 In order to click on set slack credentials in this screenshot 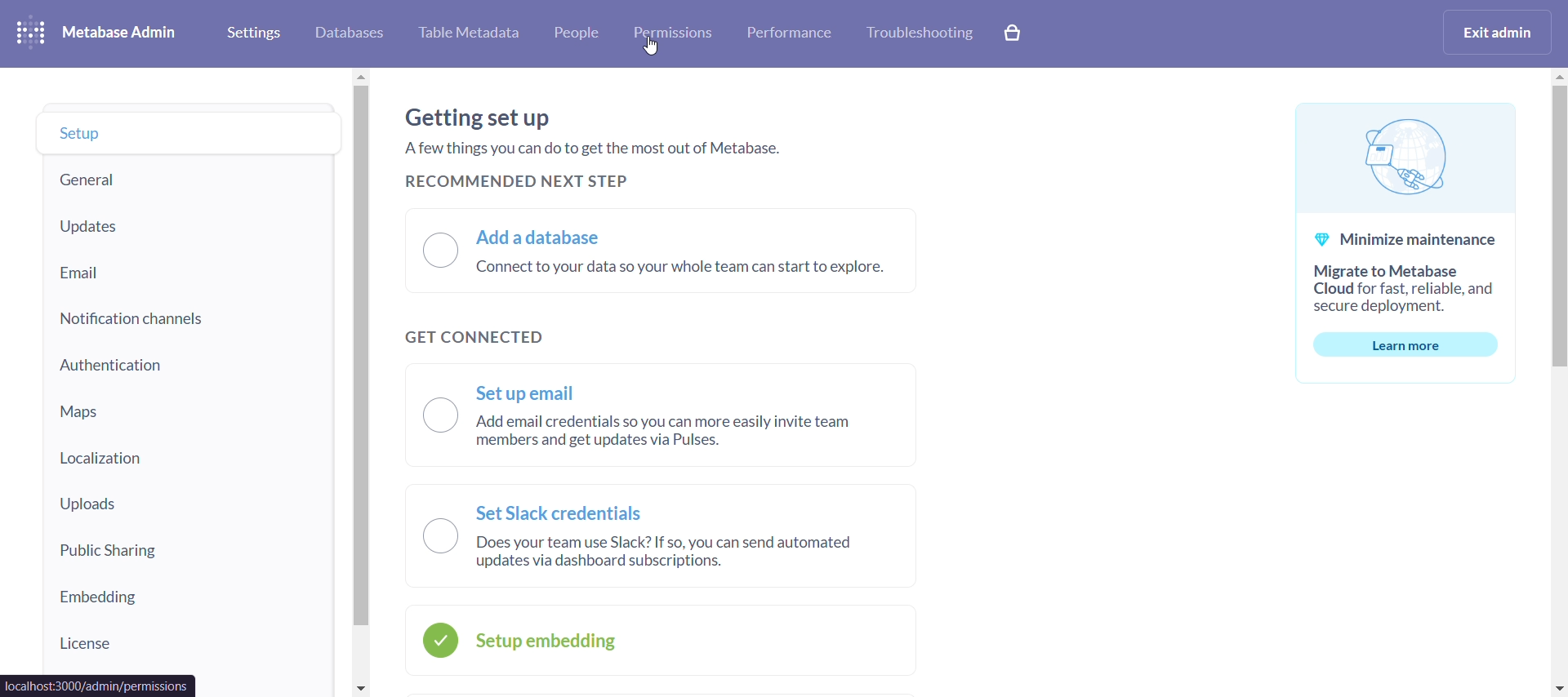, I will do `click(657, 535)`.